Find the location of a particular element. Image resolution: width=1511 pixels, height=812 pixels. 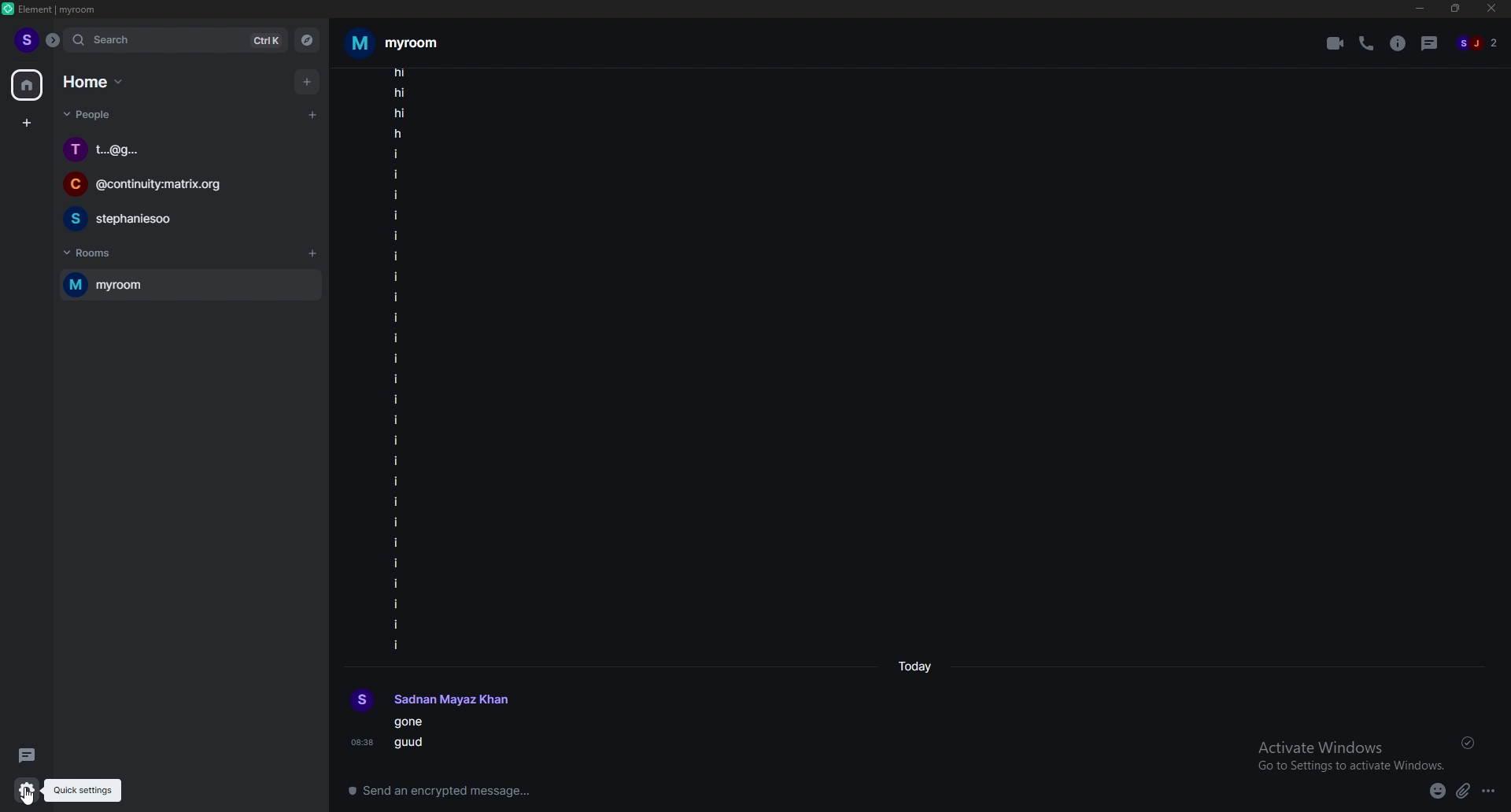

voice call is located at coordinates (1366, 44).